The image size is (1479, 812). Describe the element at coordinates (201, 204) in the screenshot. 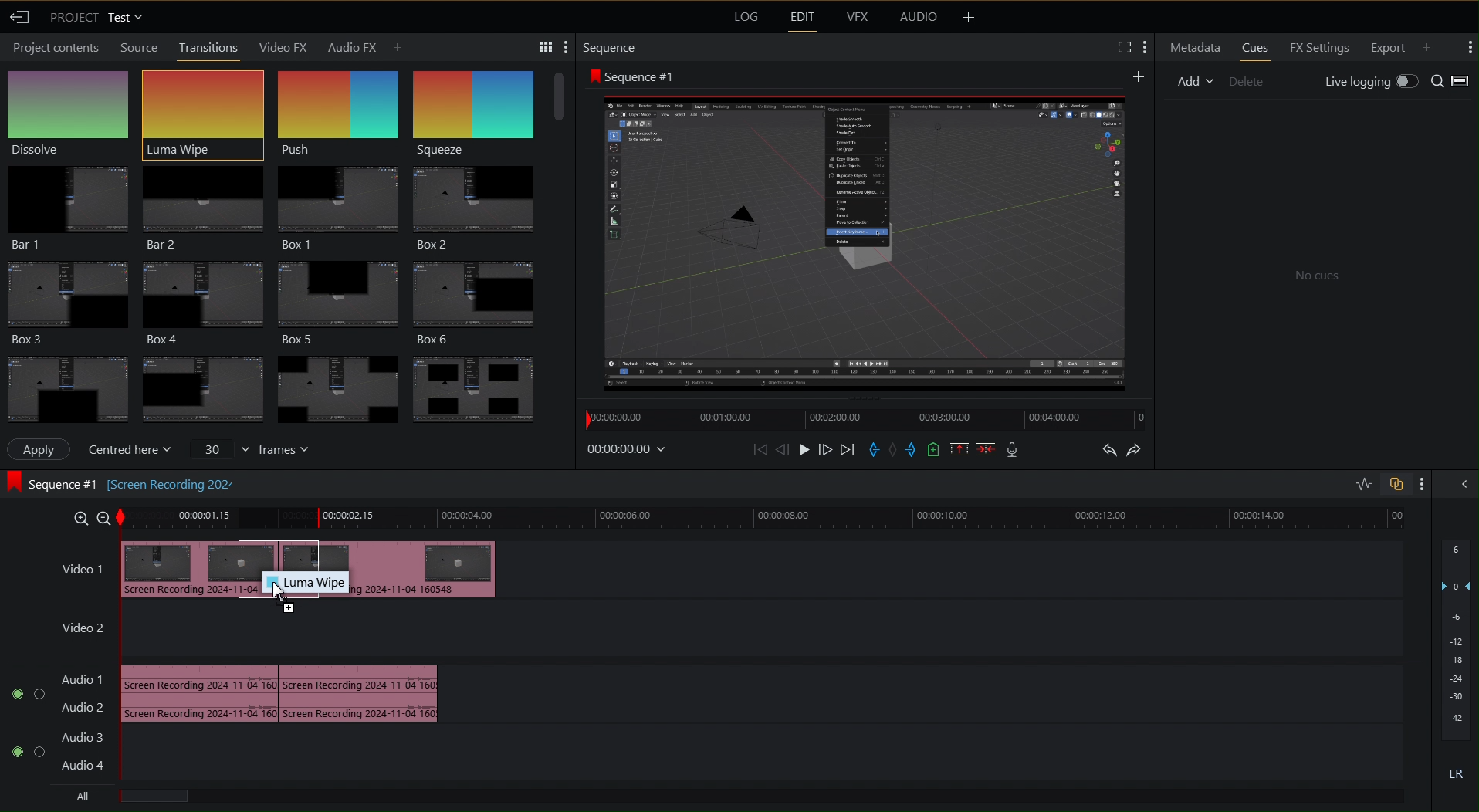

I see `Bar 2` at that location.